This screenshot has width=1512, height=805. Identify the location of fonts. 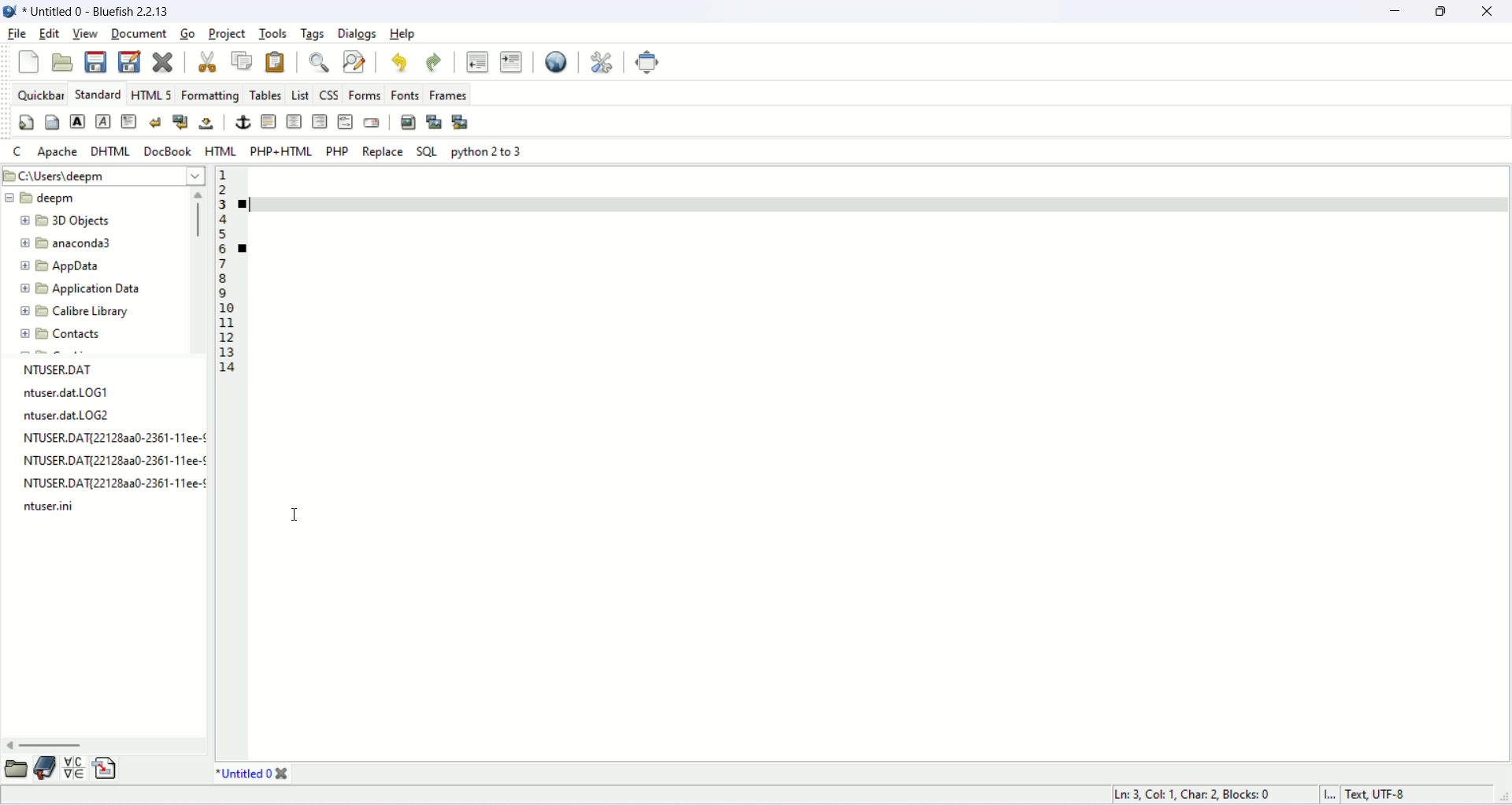
(405, 95).